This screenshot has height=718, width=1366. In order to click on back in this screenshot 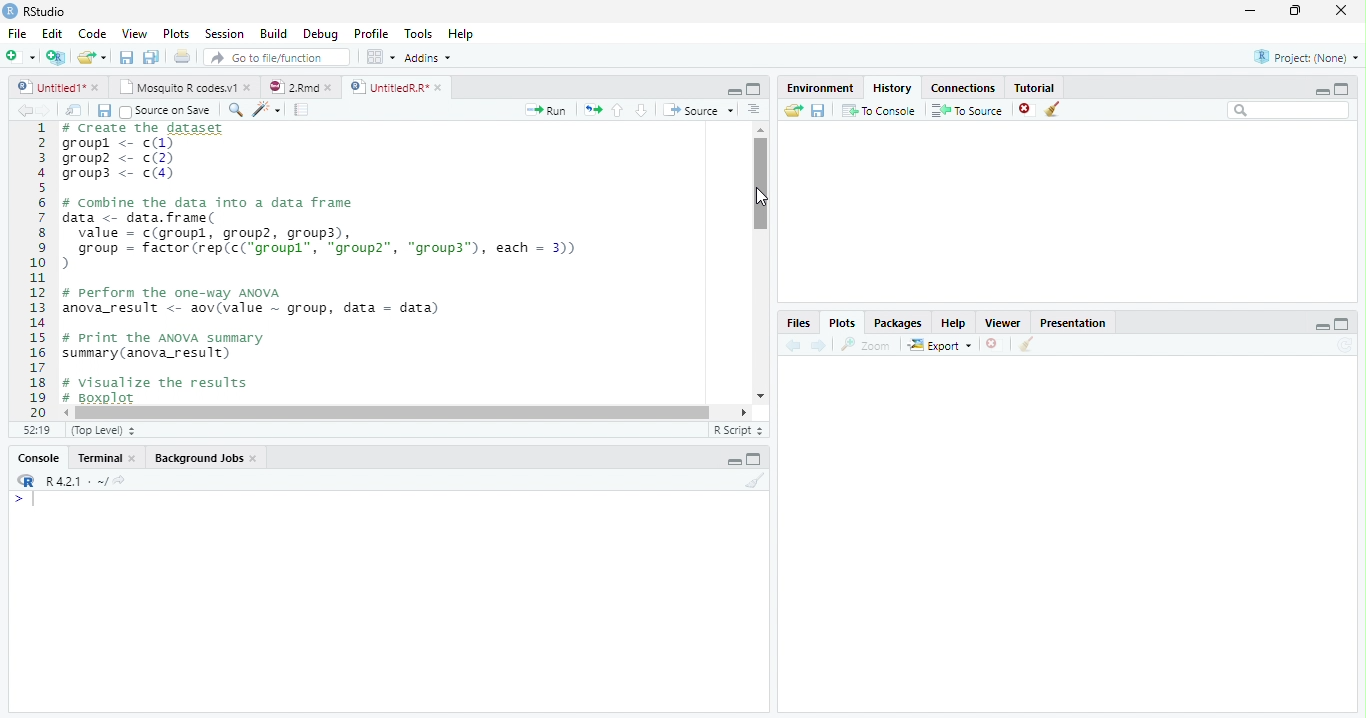, I will do `click(797, 343)`.